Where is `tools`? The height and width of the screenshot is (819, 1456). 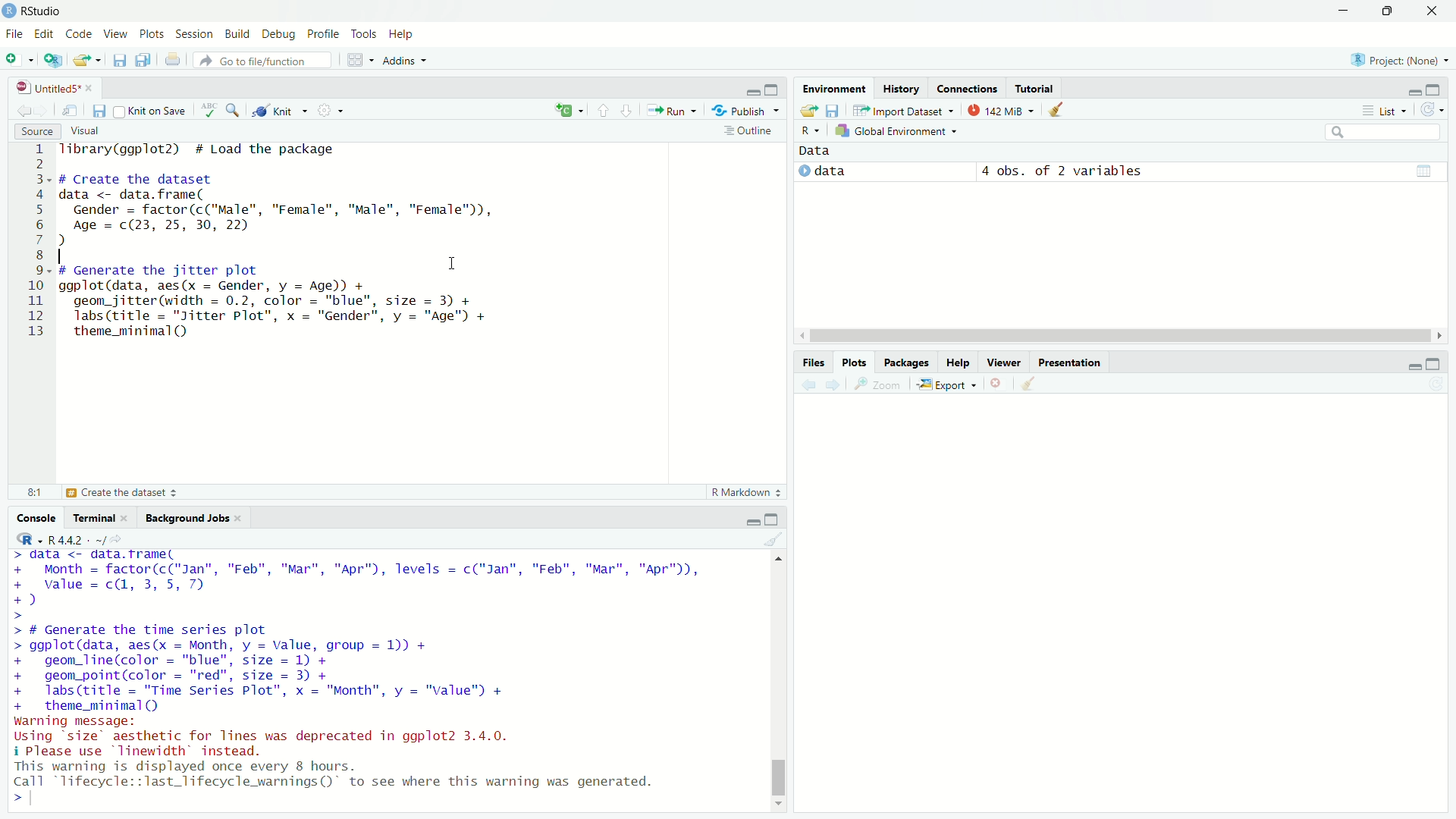 tools is located at coordinates (366, 32).